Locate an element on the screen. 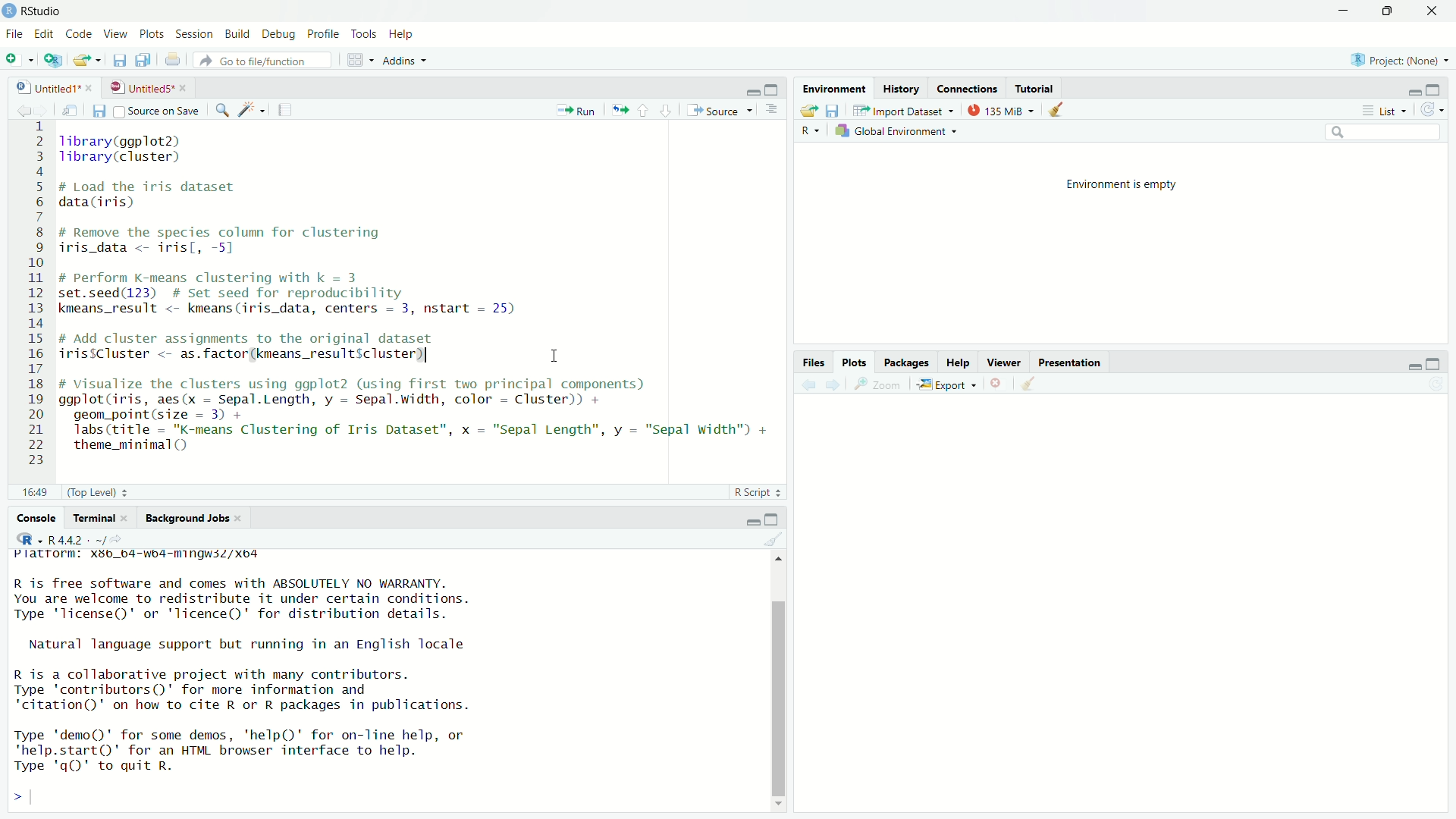 The width and height of the screenshot is (1456, 819). background jobs is located at coordinates (188, 518).